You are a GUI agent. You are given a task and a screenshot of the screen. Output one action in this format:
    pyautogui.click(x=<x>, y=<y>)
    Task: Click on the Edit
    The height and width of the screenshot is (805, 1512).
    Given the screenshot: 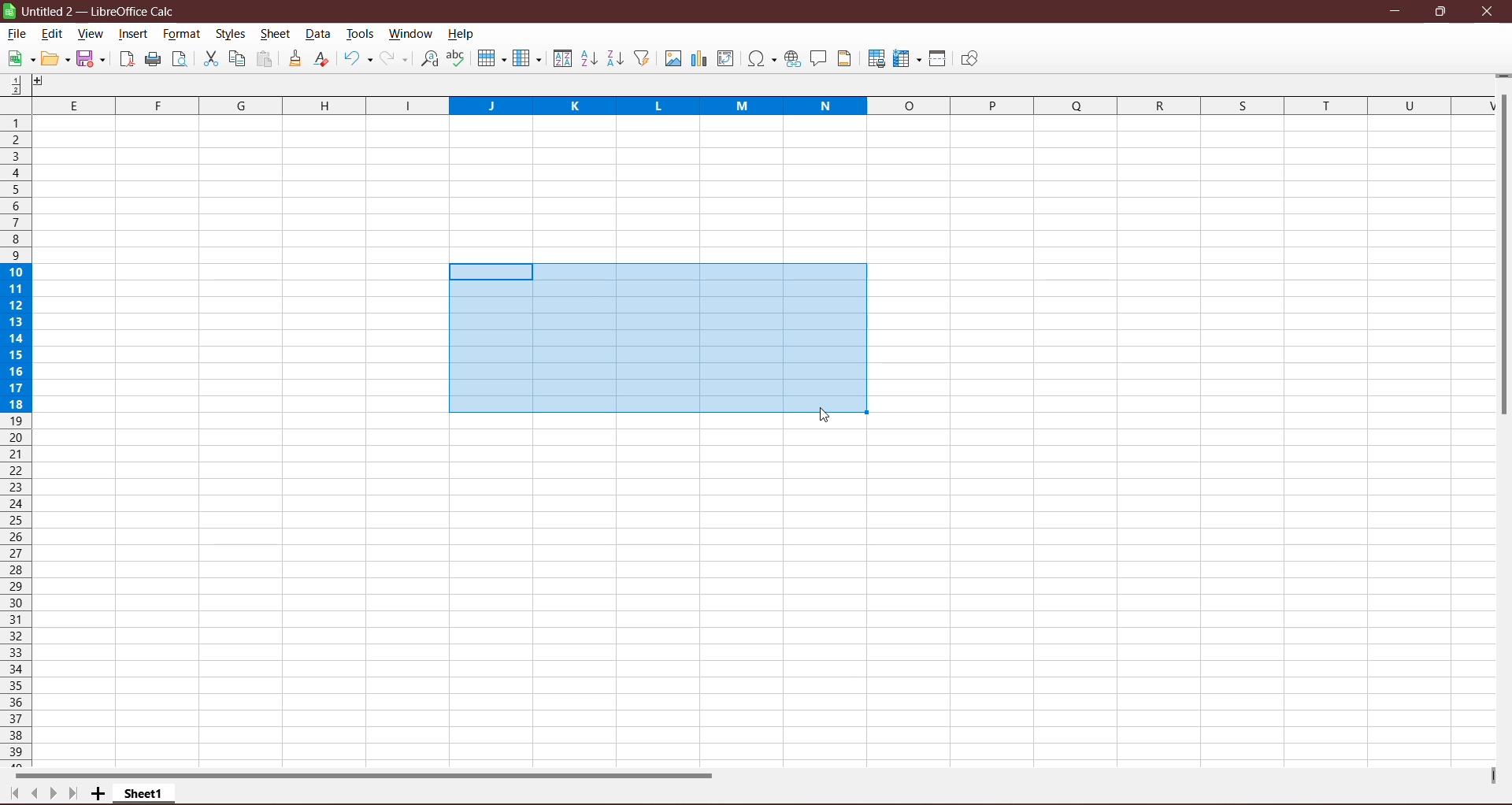 What is the action you would take?
    pyautogui.click(x=56, y=59)
    